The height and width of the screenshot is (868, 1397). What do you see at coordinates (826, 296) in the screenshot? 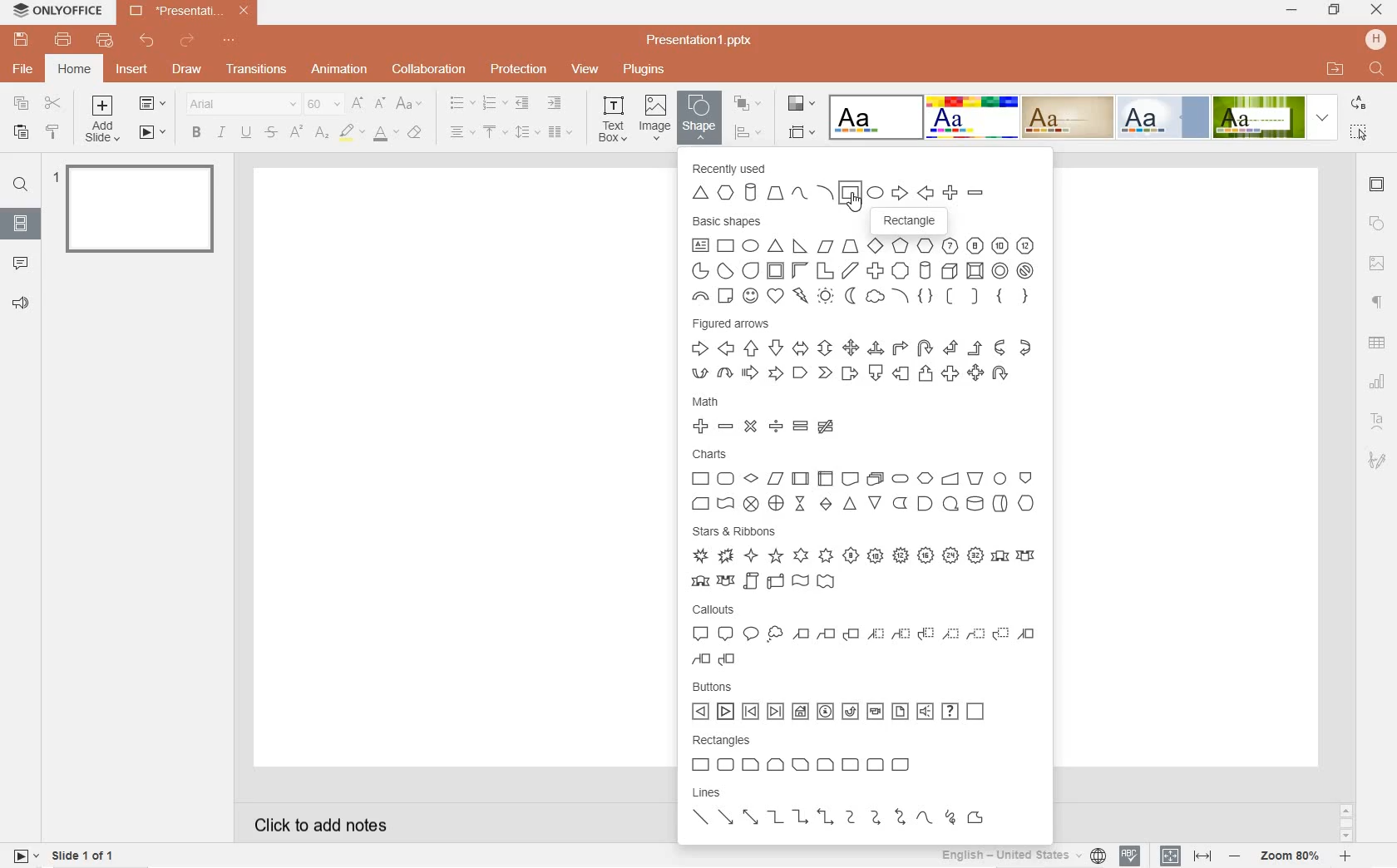
I see `Sun` at bounding box center [826, 296].